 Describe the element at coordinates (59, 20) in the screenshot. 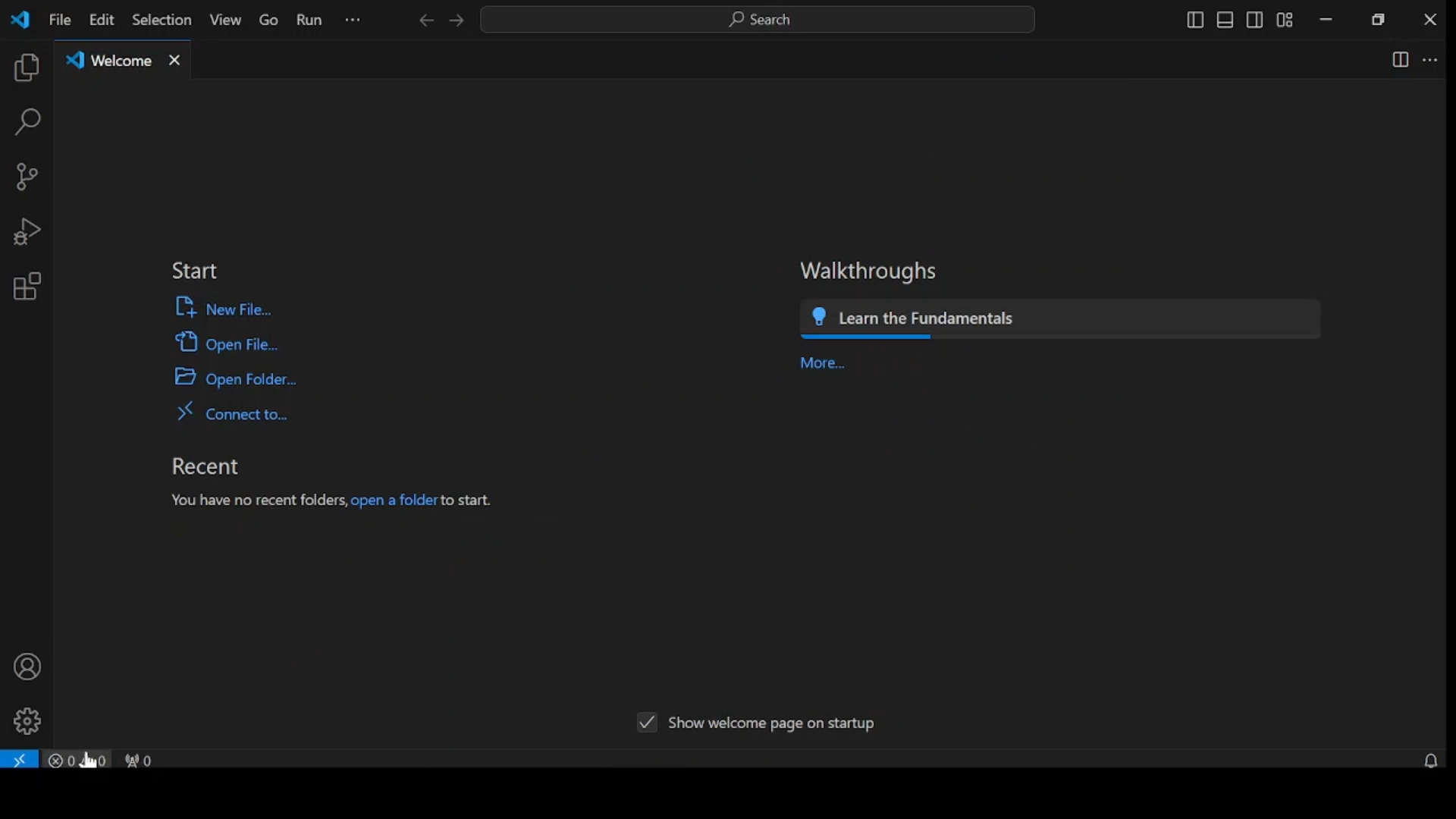

I see `file` at that location.